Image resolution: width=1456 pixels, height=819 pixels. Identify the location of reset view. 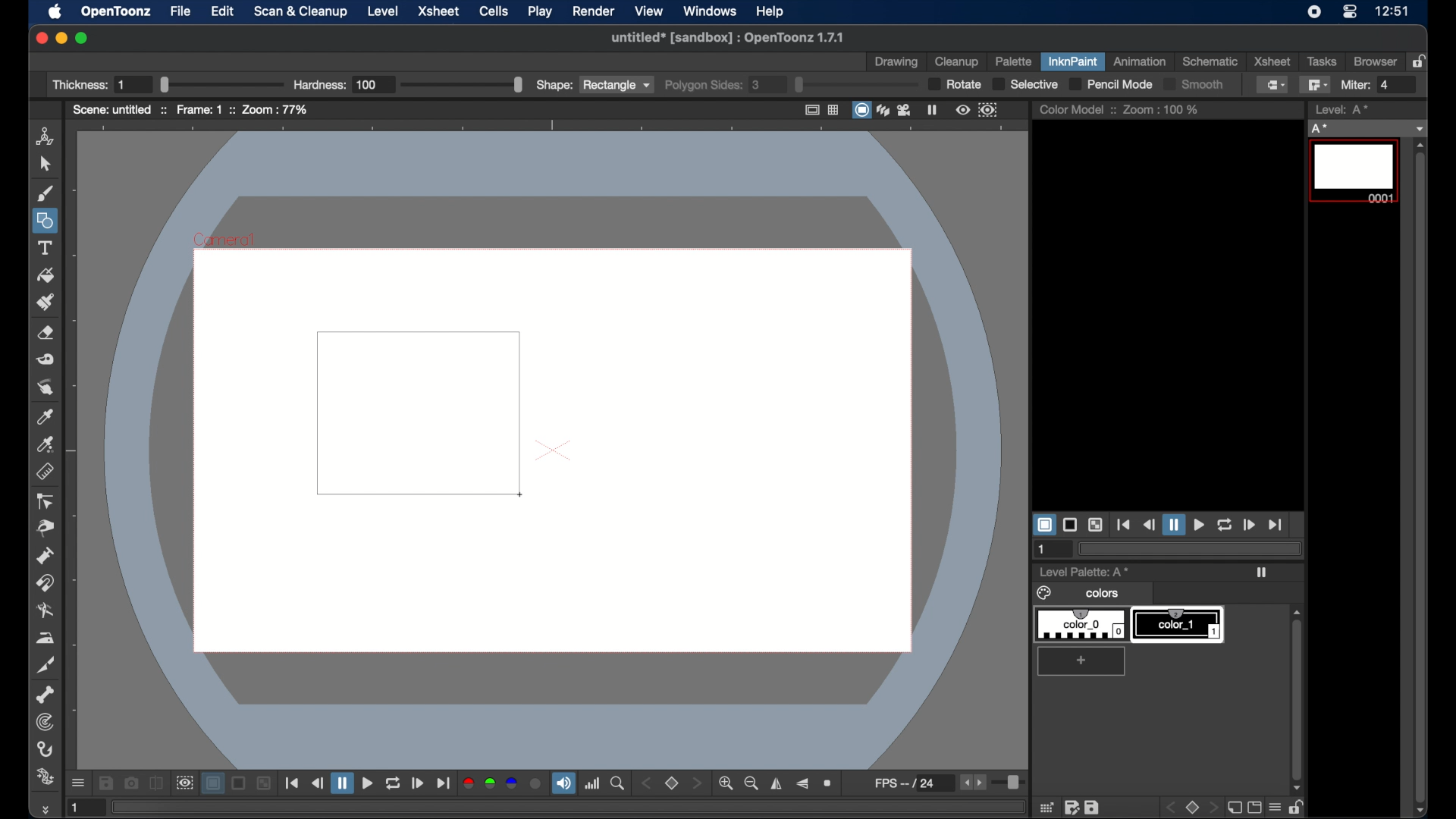
(829, 783).